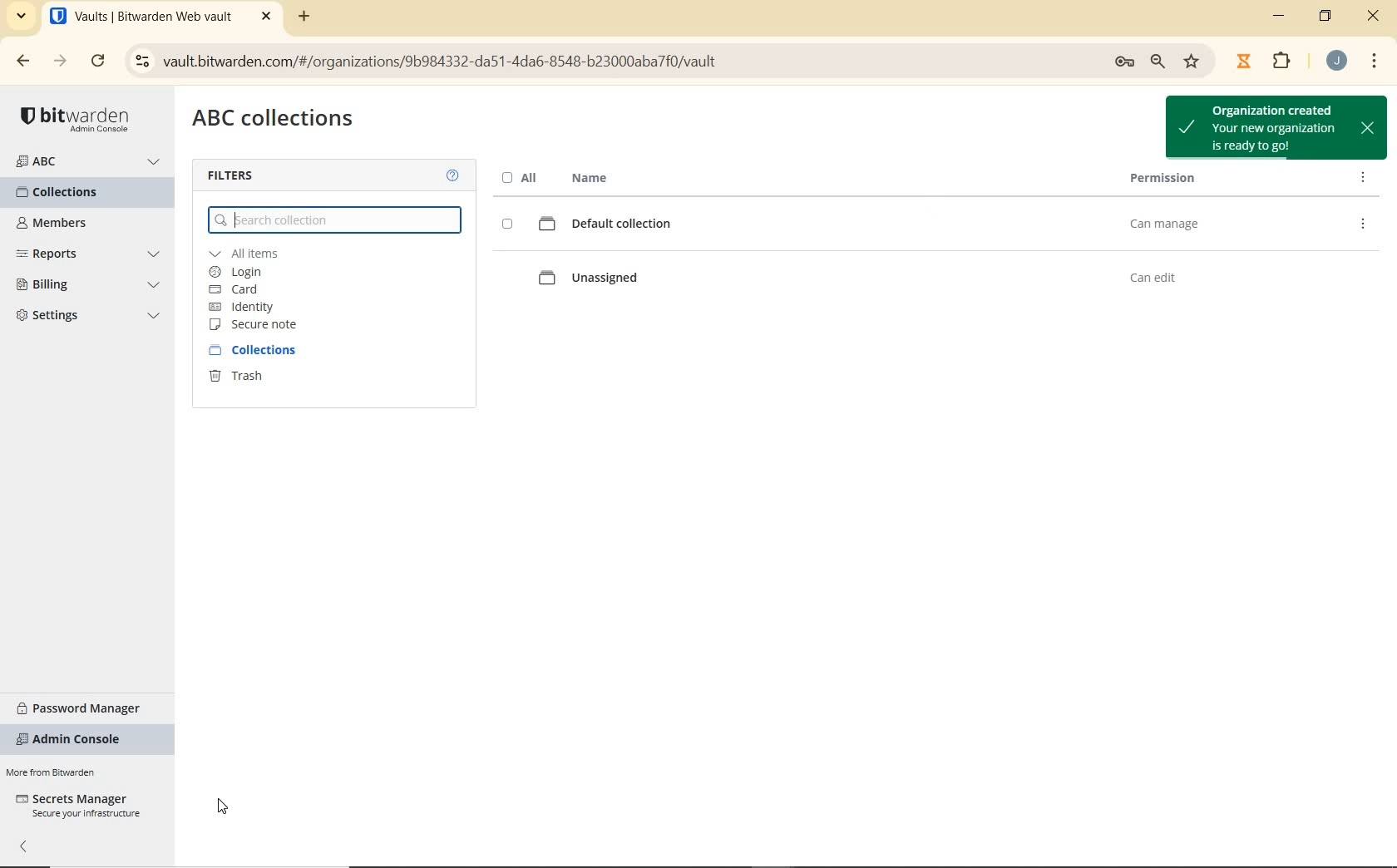 Image resolution: width=1397 pixels, height=868 pixels. Describe the element at coordinates (234, 291) in the screenshot. I see `card` at that location.